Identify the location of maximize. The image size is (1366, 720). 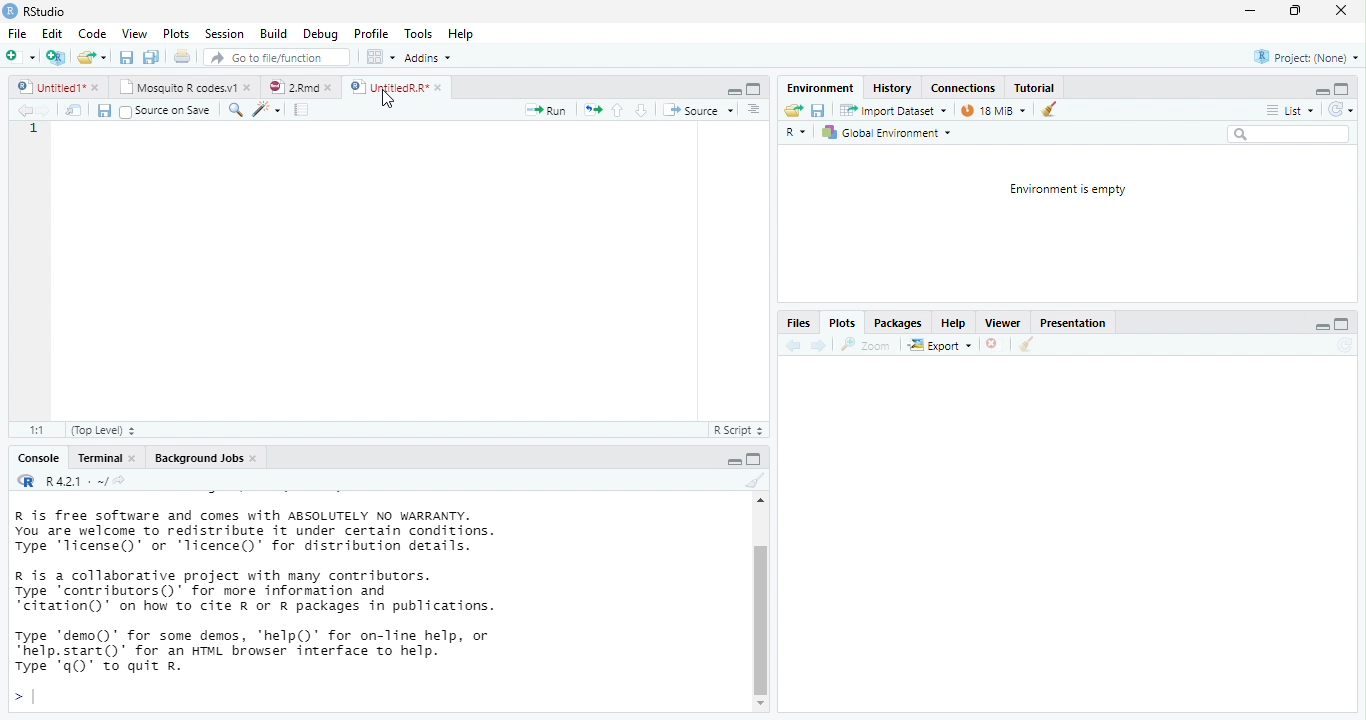
(735, 462).